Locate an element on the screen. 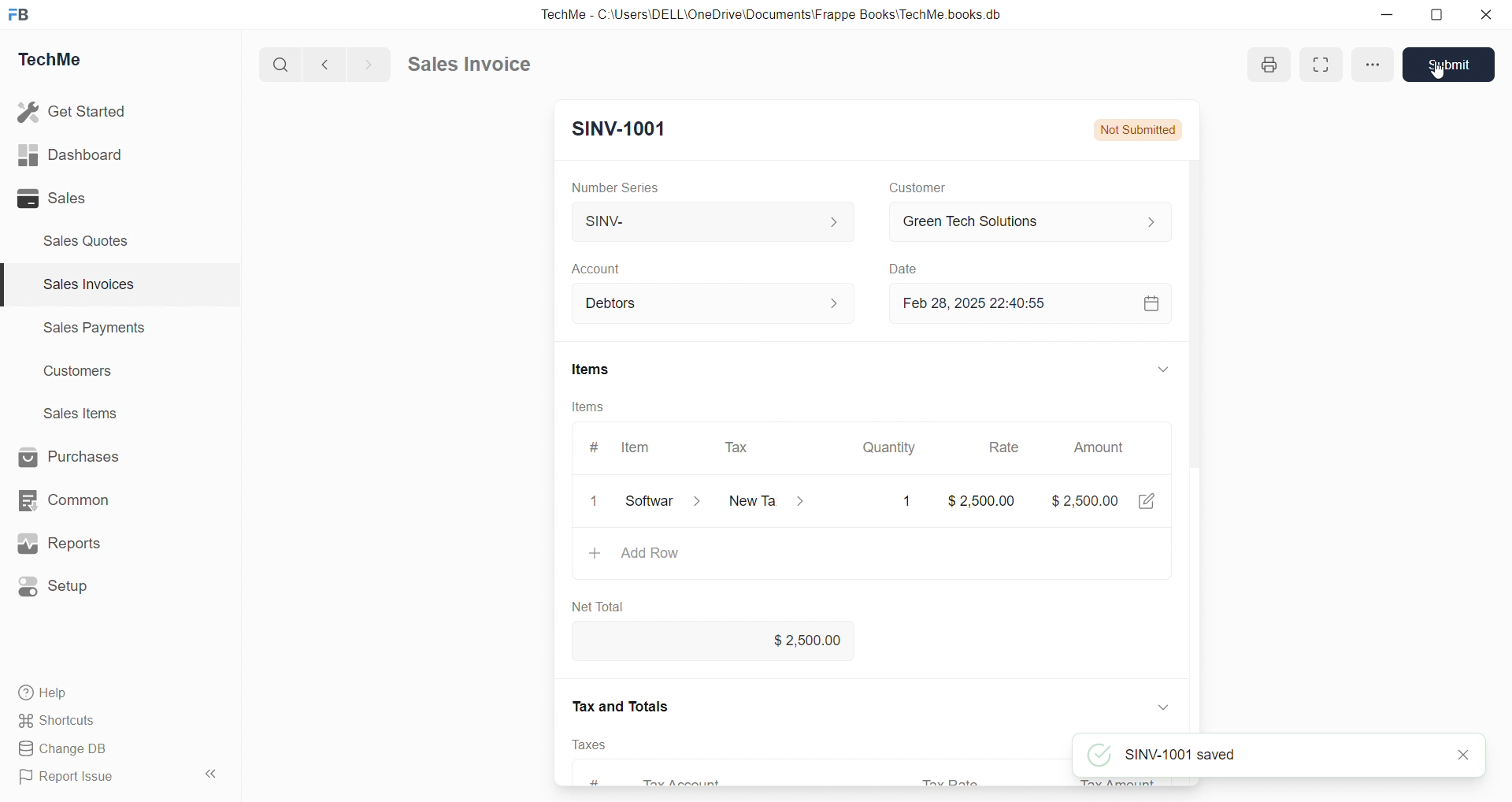  SINV-1001 is located at coordinates (622, 130).